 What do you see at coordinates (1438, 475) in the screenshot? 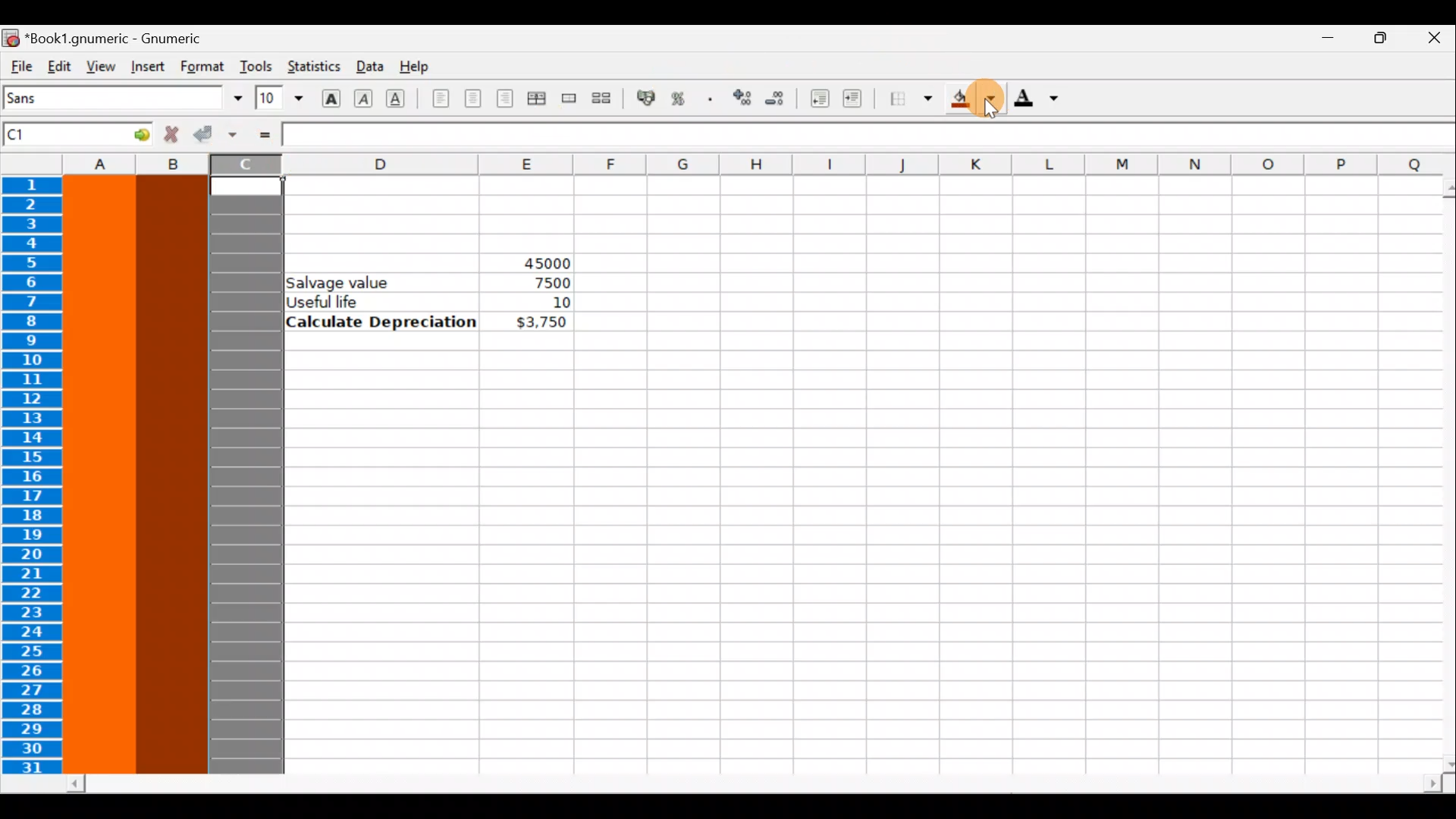
I see `Scroll bar` at bounding box center [1438, 475].